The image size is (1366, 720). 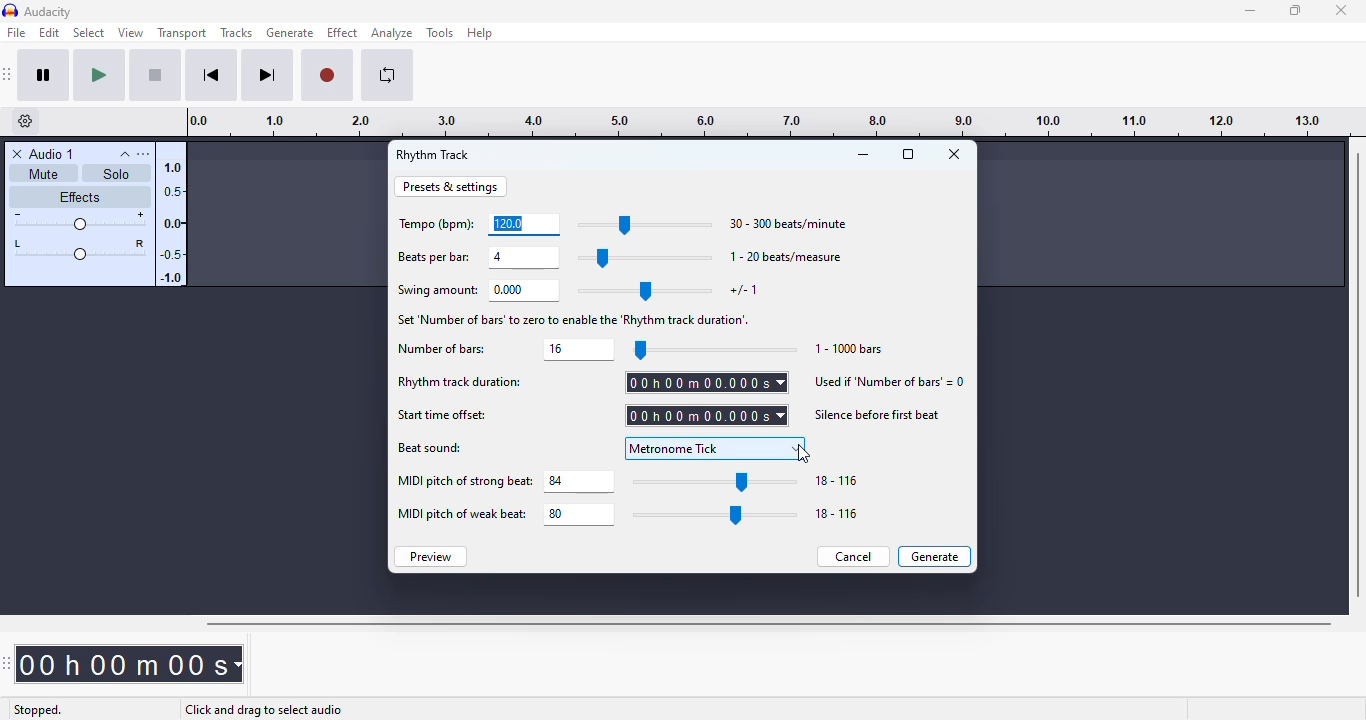 I want to click on silence before first beat, so click(x=879, y=413).